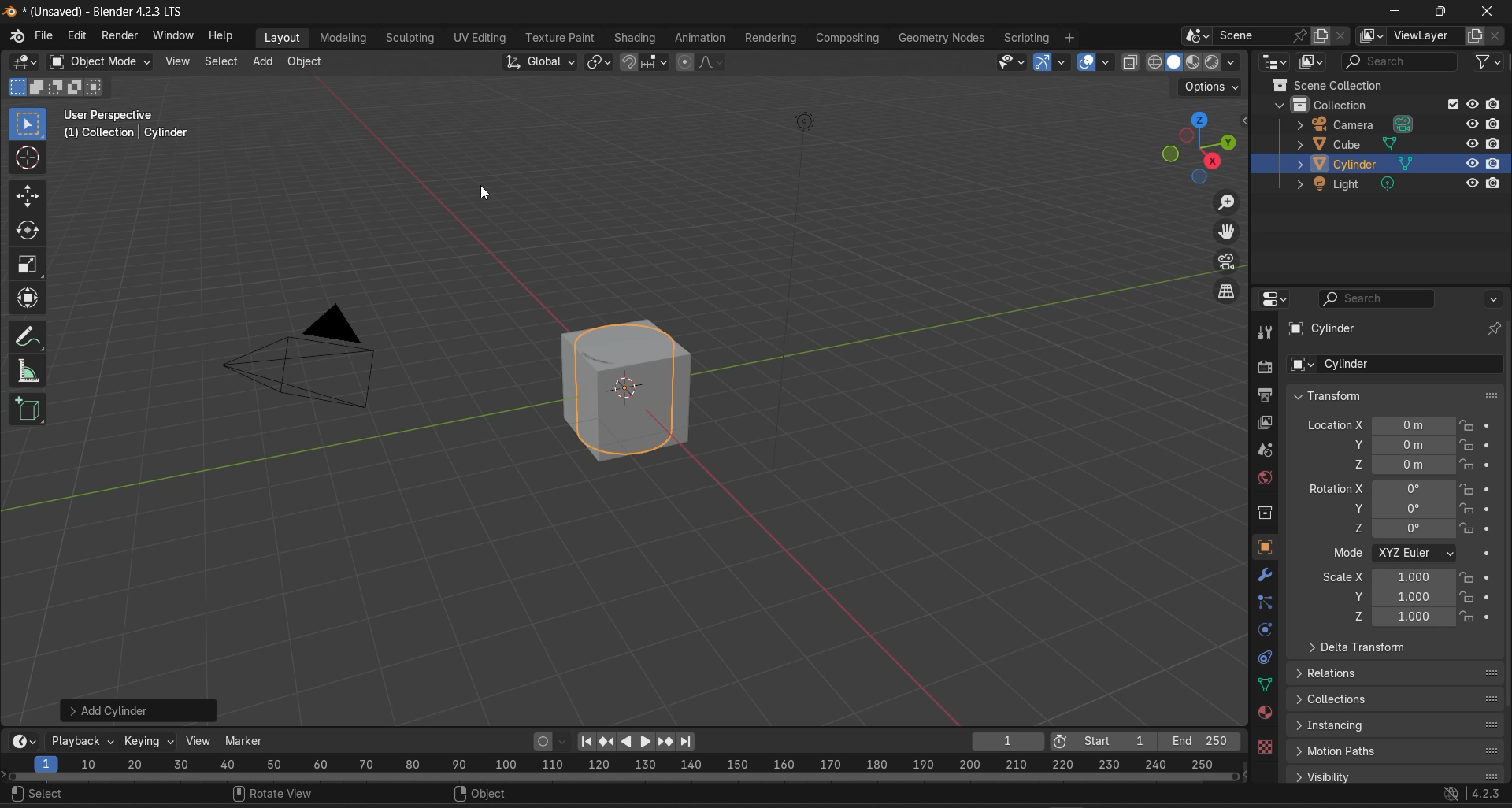 The height and width of the screenshot is (808, 1512). I want to click on scale z, so click(1401, 617).